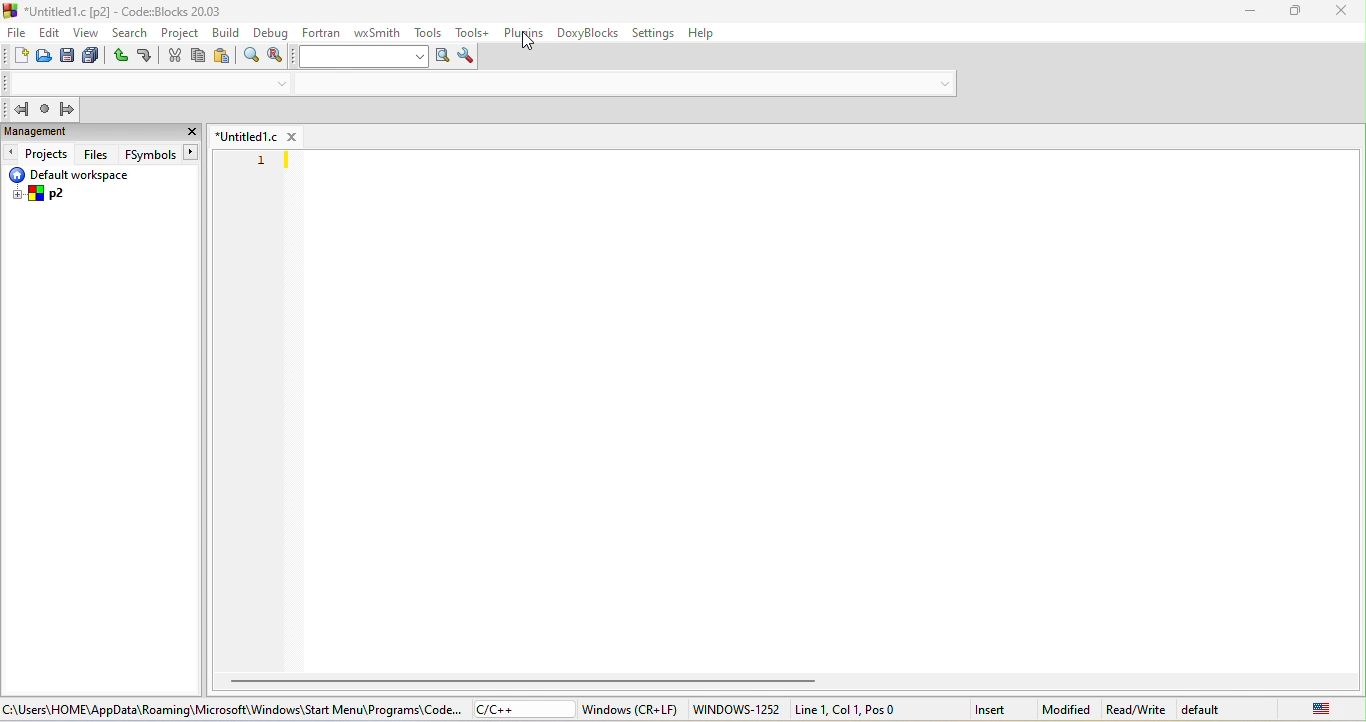 The width and height of the screenshot is (1366, 722). Describe the element at coordinates (191, 133) in the screenshot. I see `close` at that location.